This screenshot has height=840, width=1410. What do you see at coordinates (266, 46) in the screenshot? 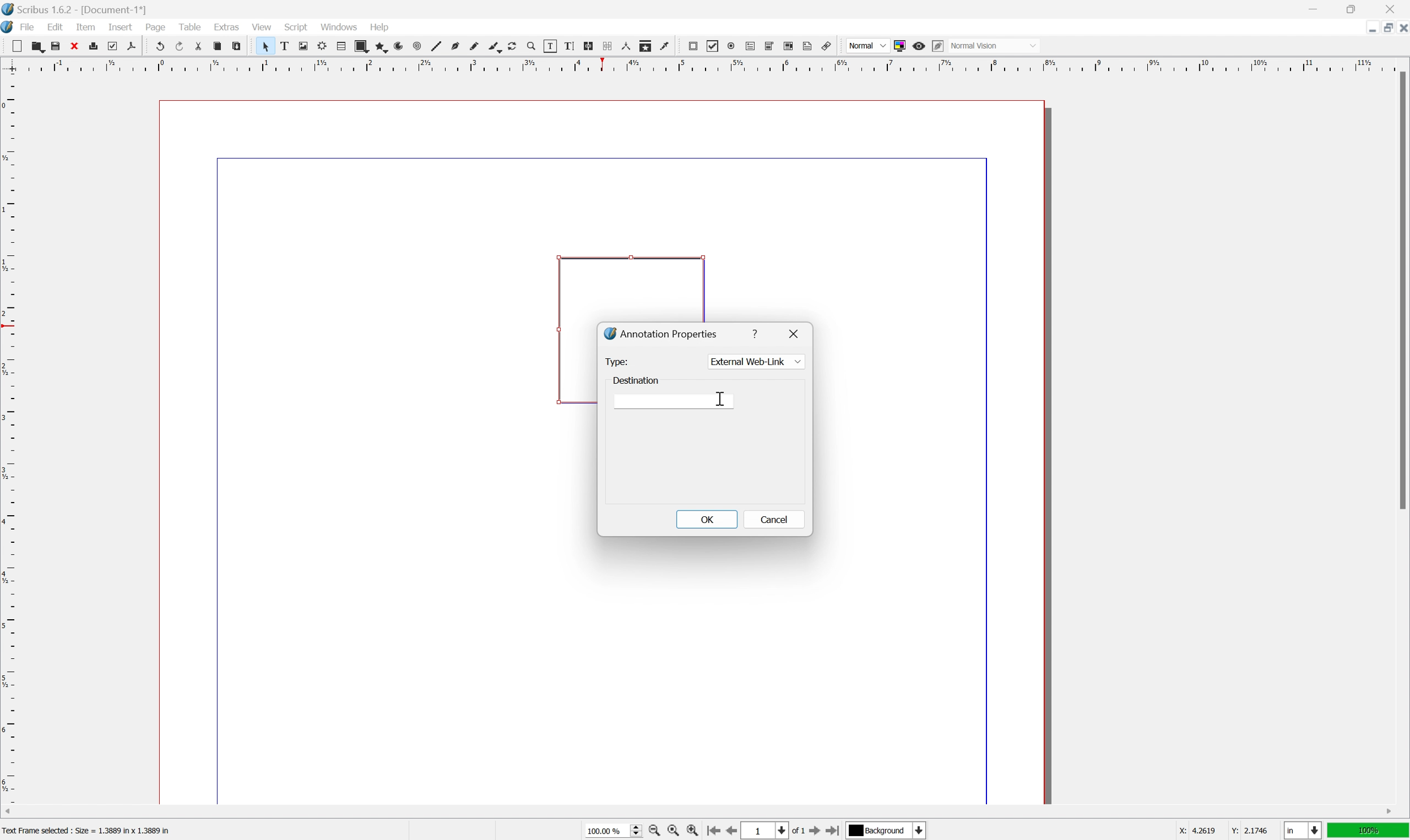
I see `select item` at bounding box center [266, 46].